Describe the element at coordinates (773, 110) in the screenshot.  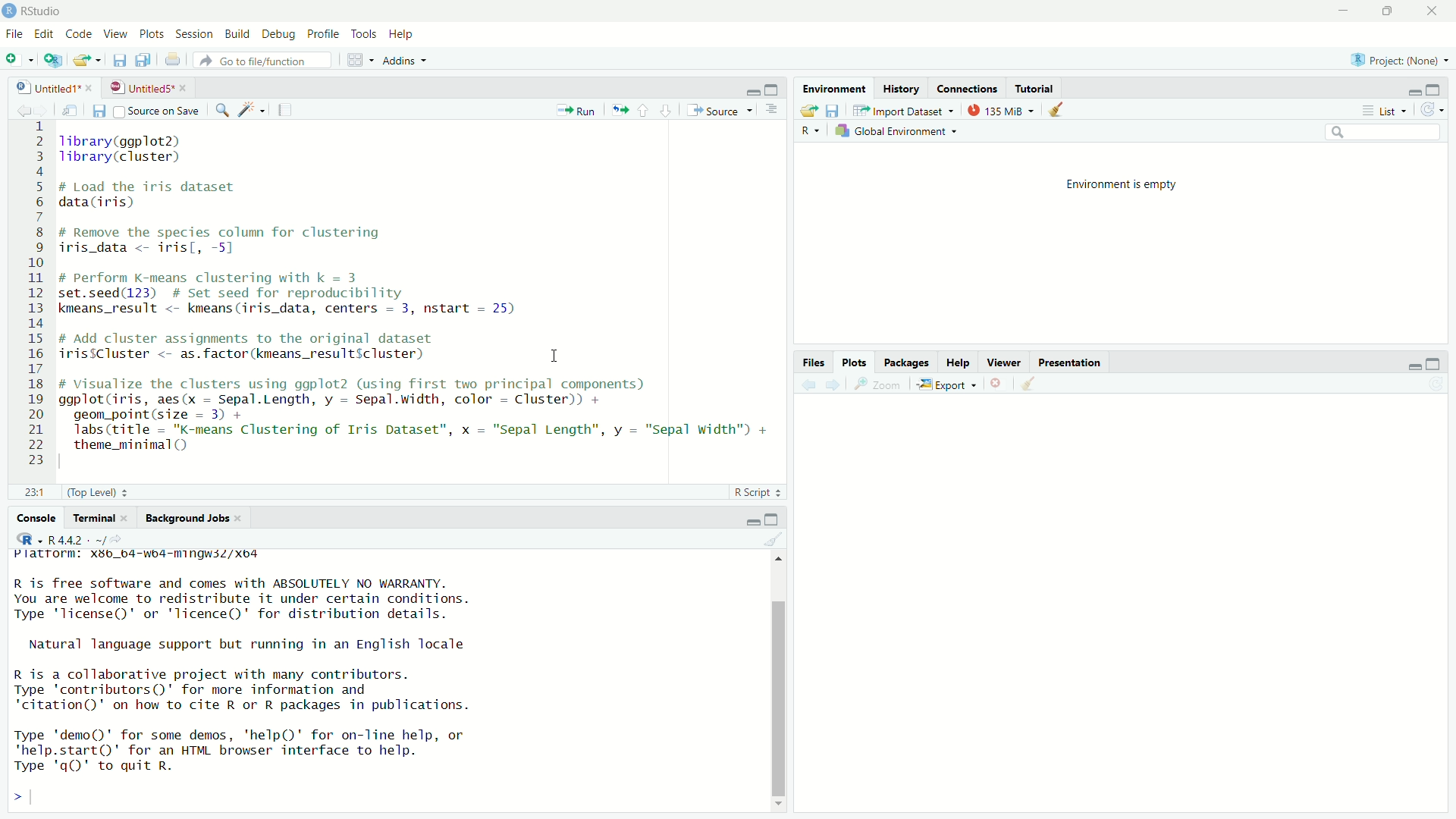
I see `hide document outline` at that location.